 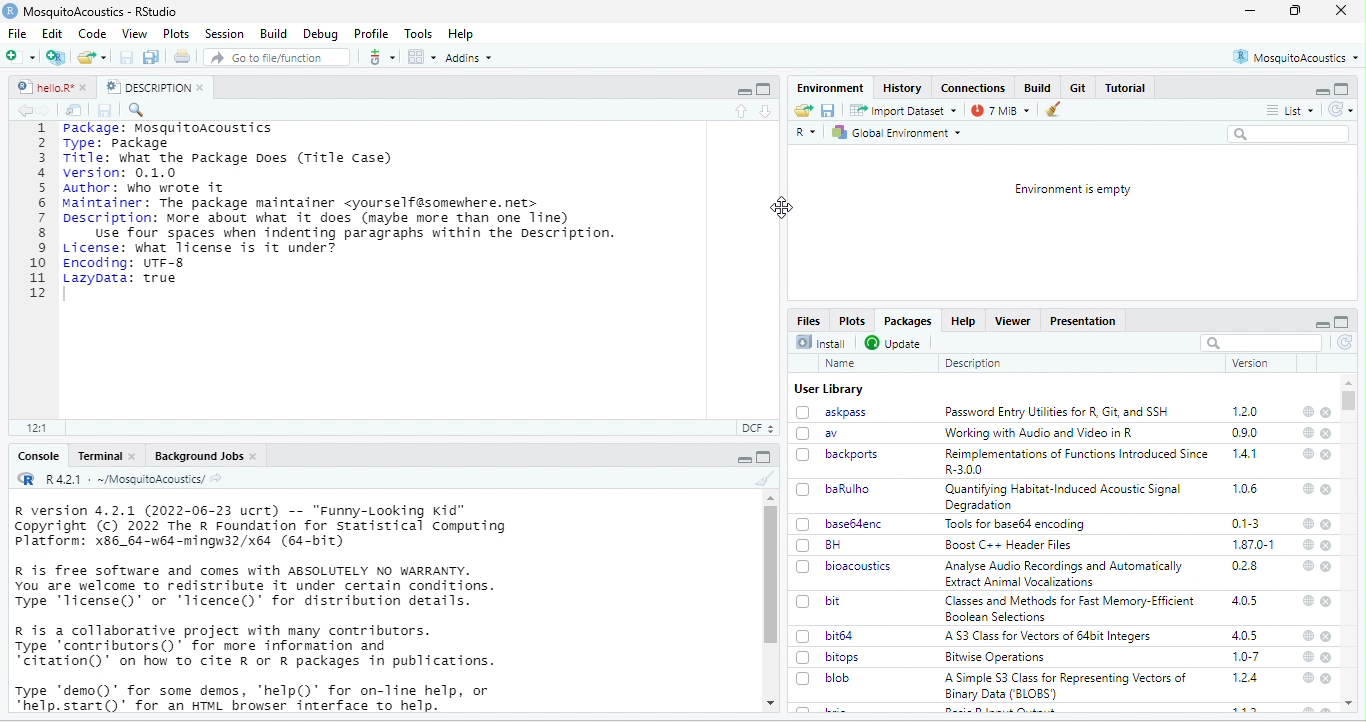 What do you see at coordinates (421, 57) in the screenshot?
I see `workspace panes` at bounding box center [421, 57].